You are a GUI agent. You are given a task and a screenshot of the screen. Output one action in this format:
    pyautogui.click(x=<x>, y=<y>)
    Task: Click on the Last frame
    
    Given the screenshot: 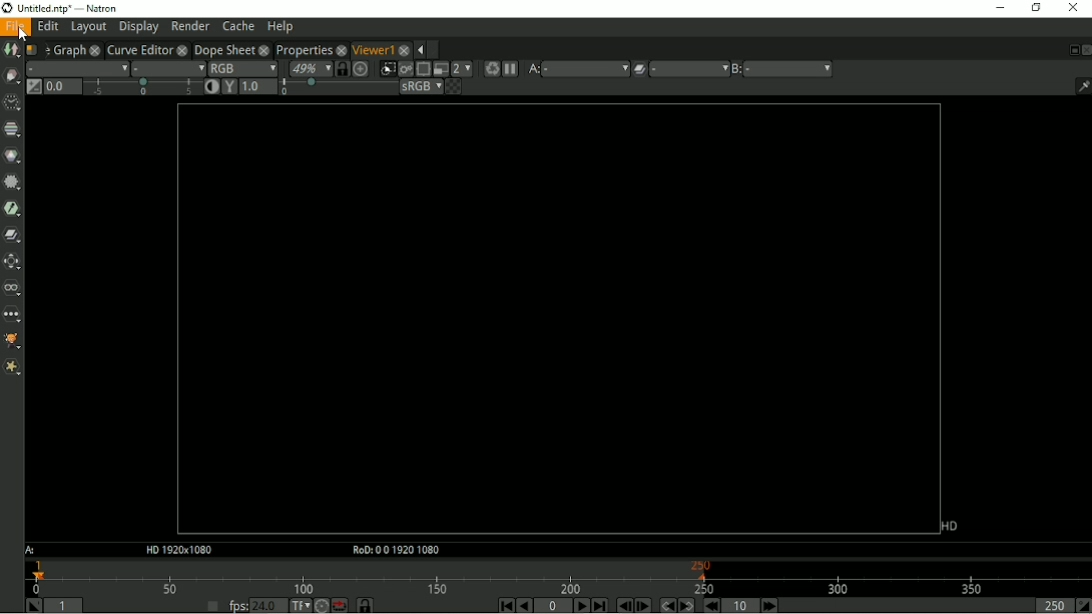 What is the action you would take?
    pyautogui.click(x=599, y=605)
    